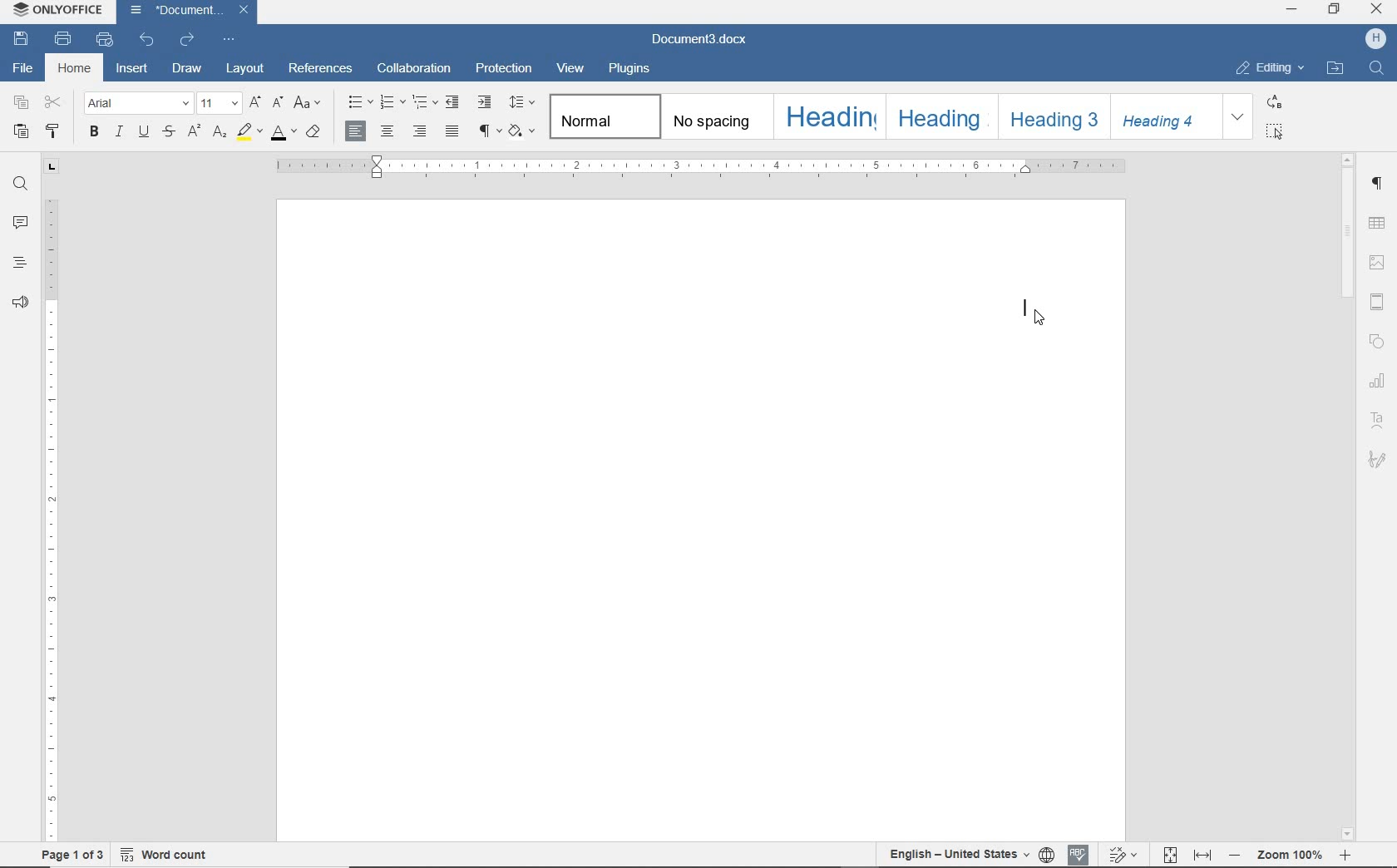 The width and height of the screenshot is (1397, 868). I want to click on PASTE, so click(22, 130).